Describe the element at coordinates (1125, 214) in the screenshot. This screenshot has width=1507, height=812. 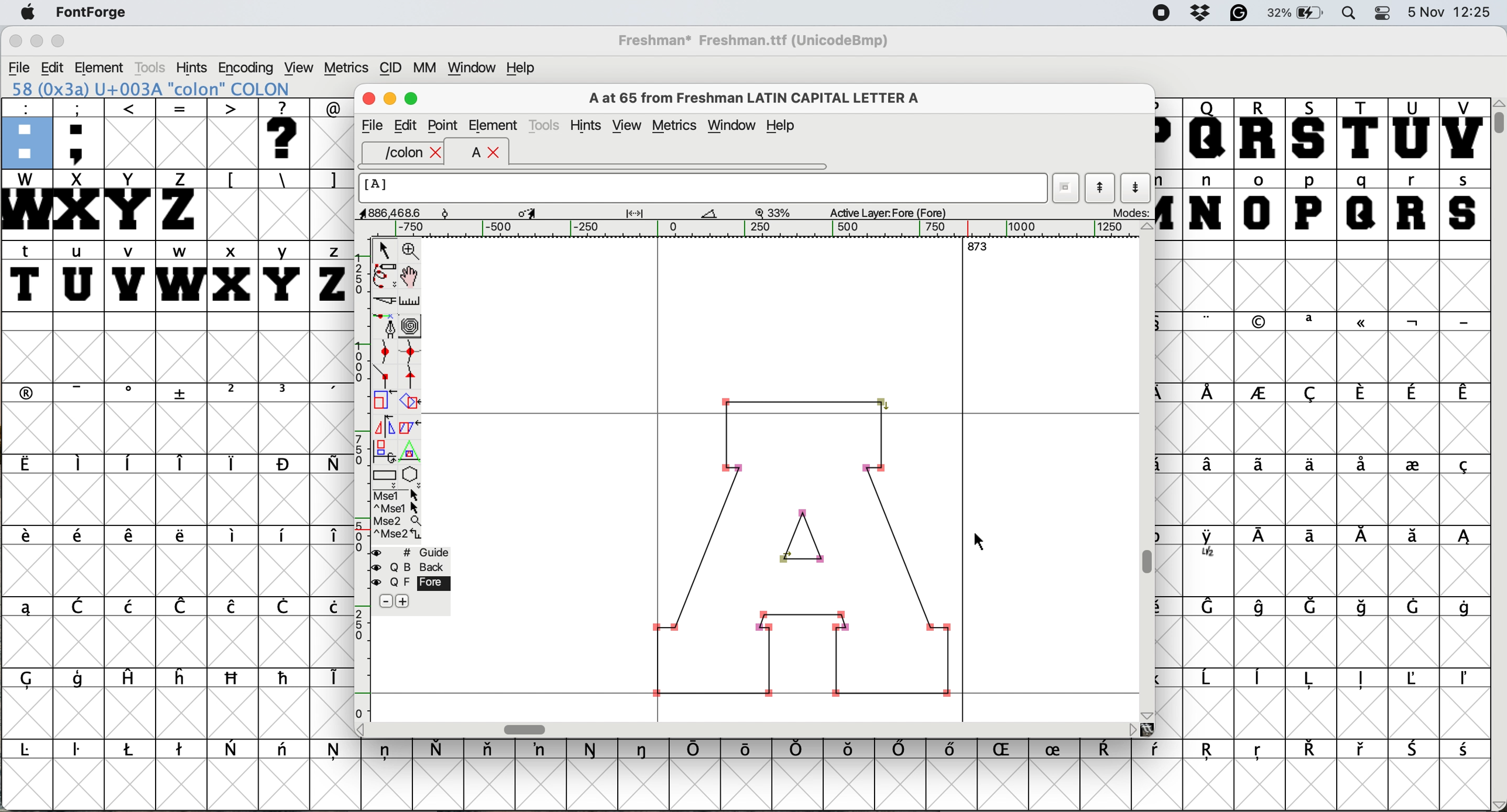
I see `modes` at that location.